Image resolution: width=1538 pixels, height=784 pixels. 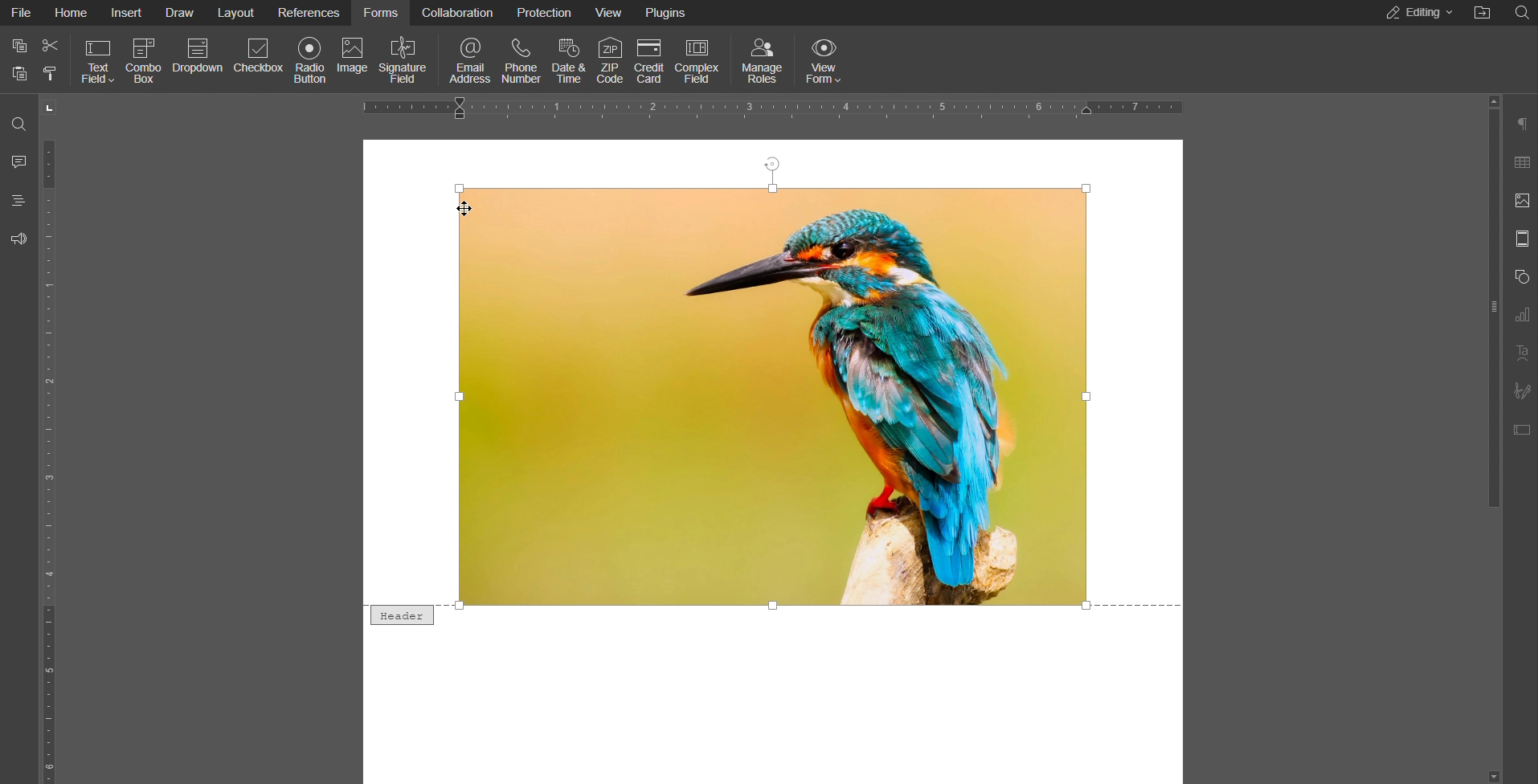 What do you see at coordinates (1520, 239) in the screenshot?
I see `Header and Footer` at bounding box center [1520, 239].